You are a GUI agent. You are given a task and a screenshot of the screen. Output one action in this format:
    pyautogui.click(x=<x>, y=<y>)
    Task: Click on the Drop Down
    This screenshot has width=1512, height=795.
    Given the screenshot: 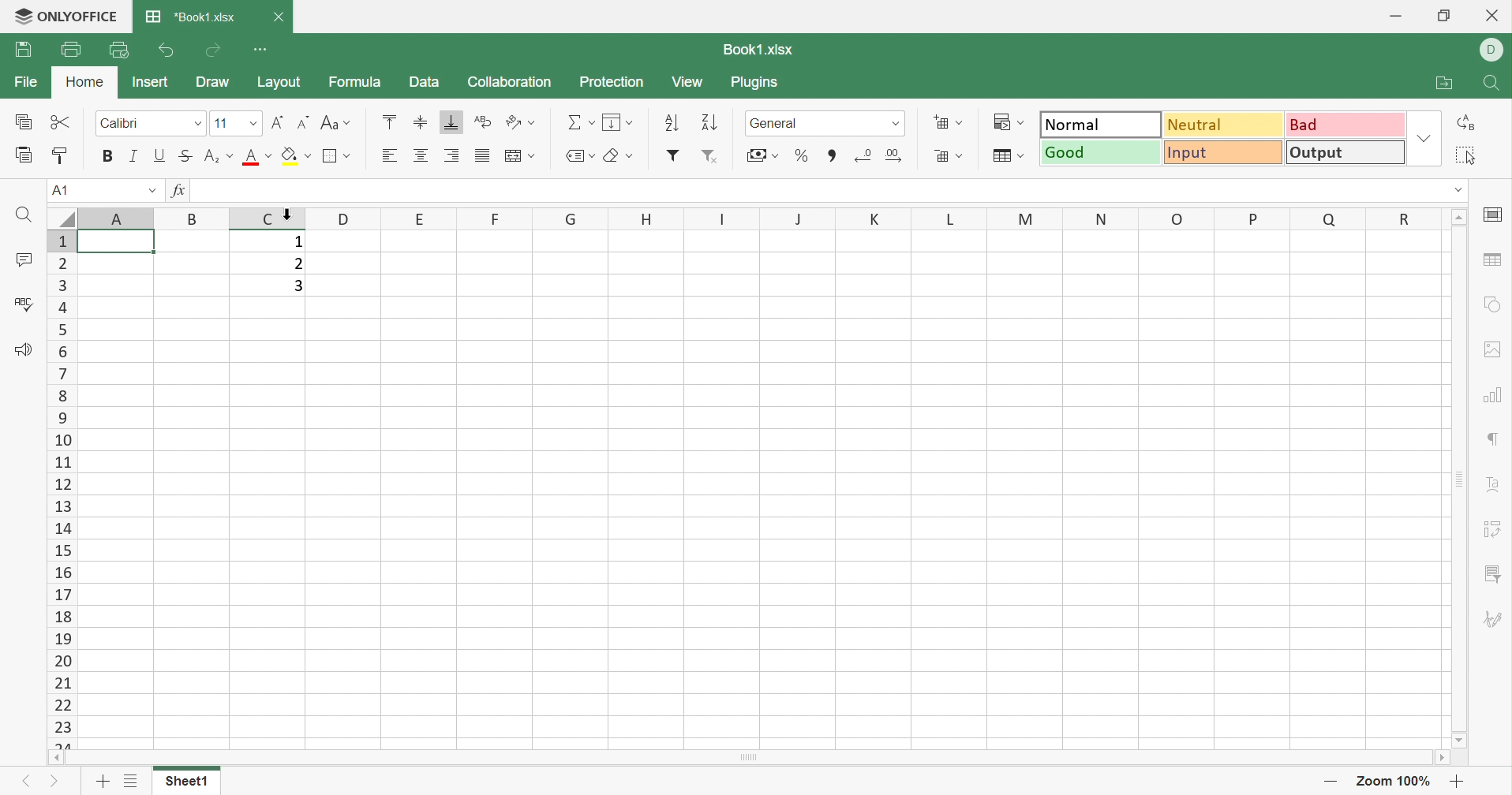 What is the action you would take?
    pyautogui.click(x=200, y=124)
    